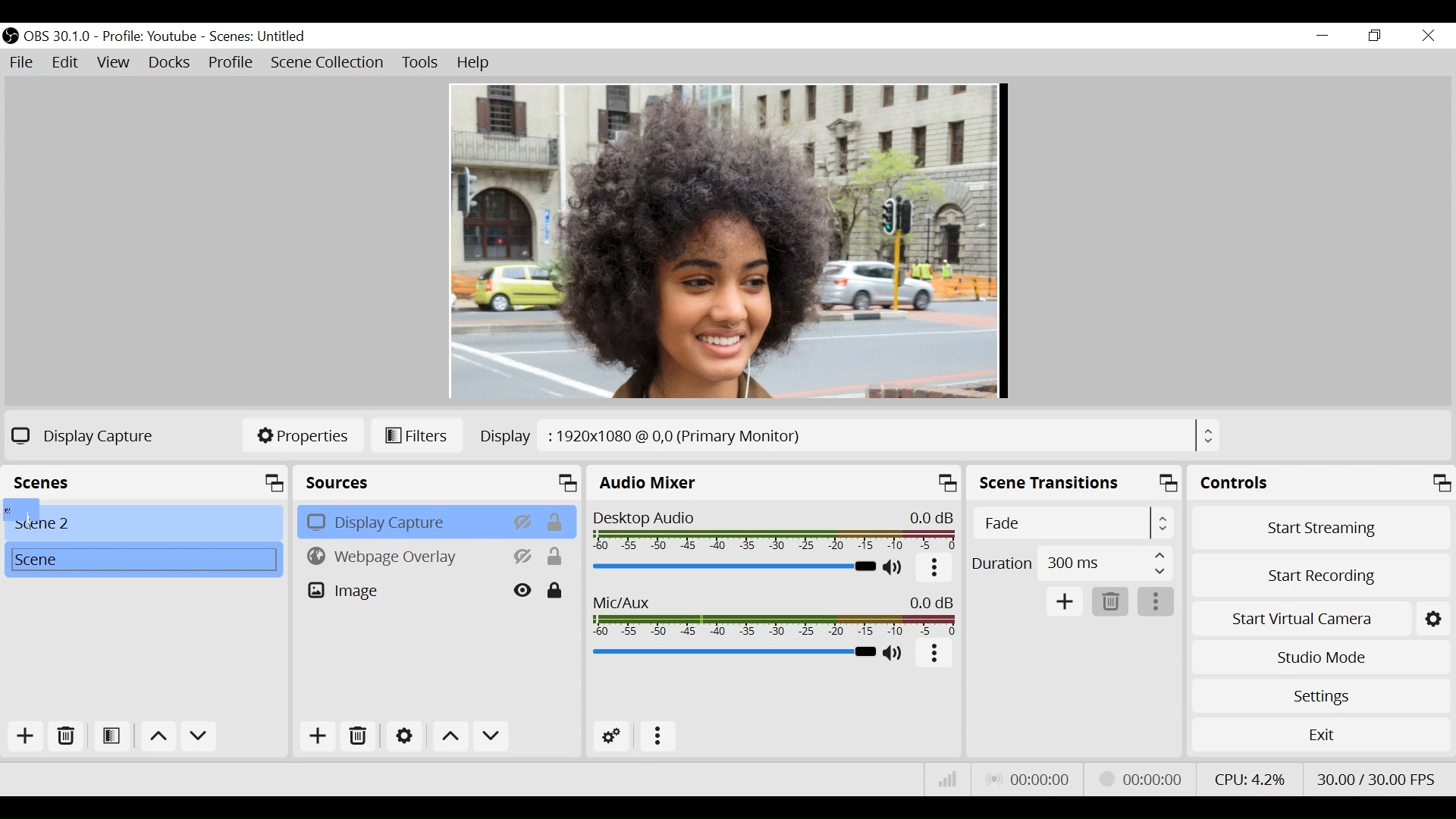  I want to click on Duration, so click(1073, 563).